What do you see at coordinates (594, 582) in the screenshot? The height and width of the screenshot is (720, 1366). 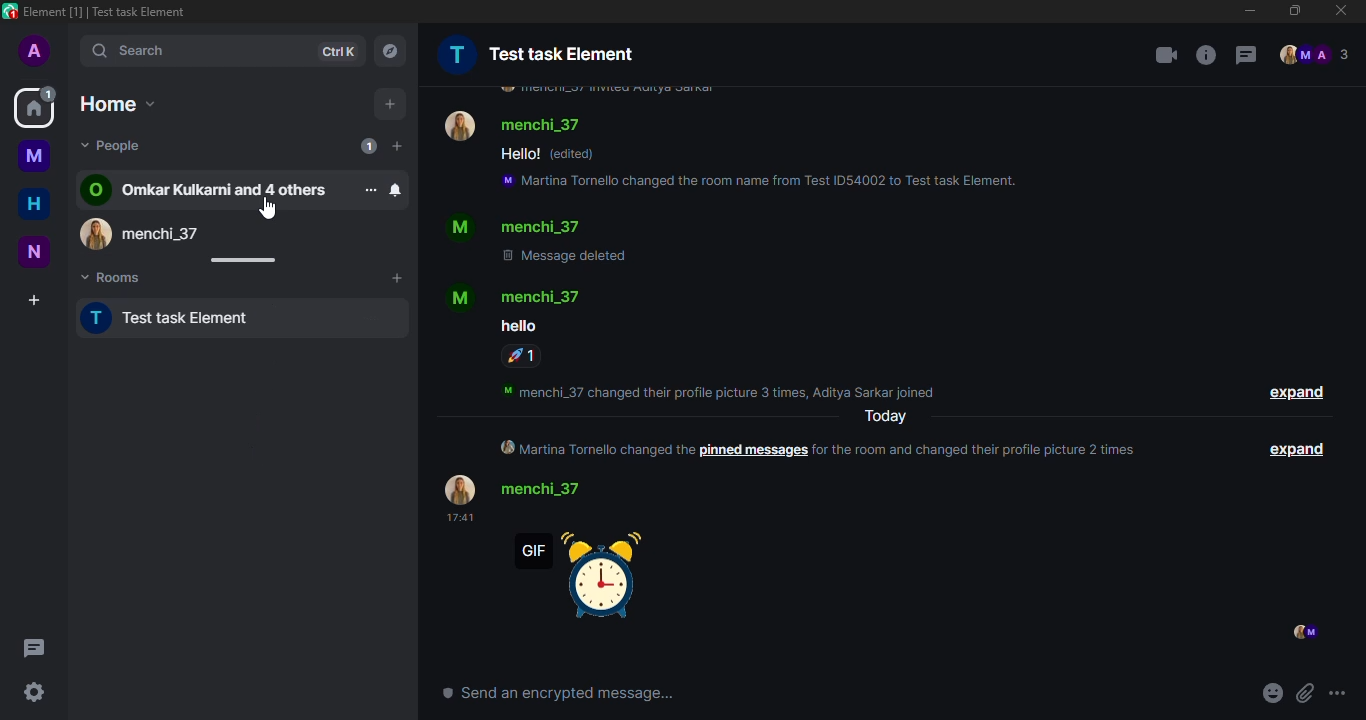 I see `gif` at bounding box center [594, 582].